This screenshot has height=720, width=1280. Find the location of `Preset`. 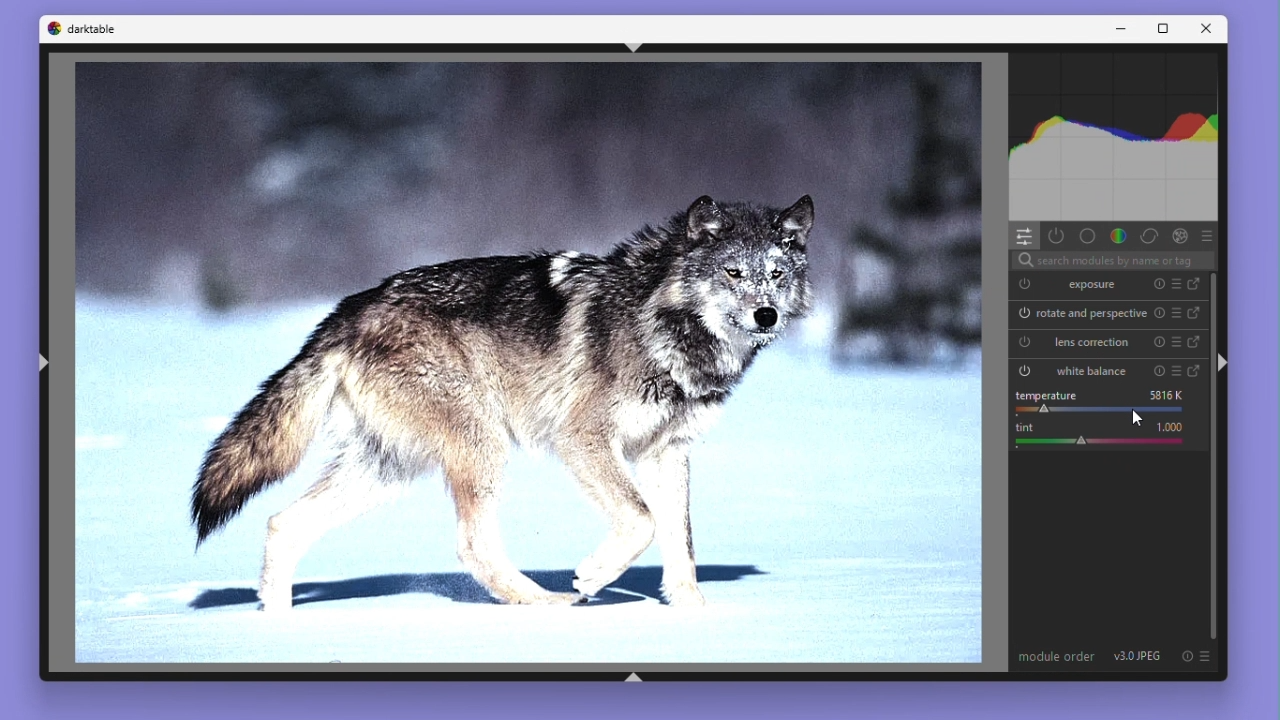

Preset is located at coordinates (1178, 285).